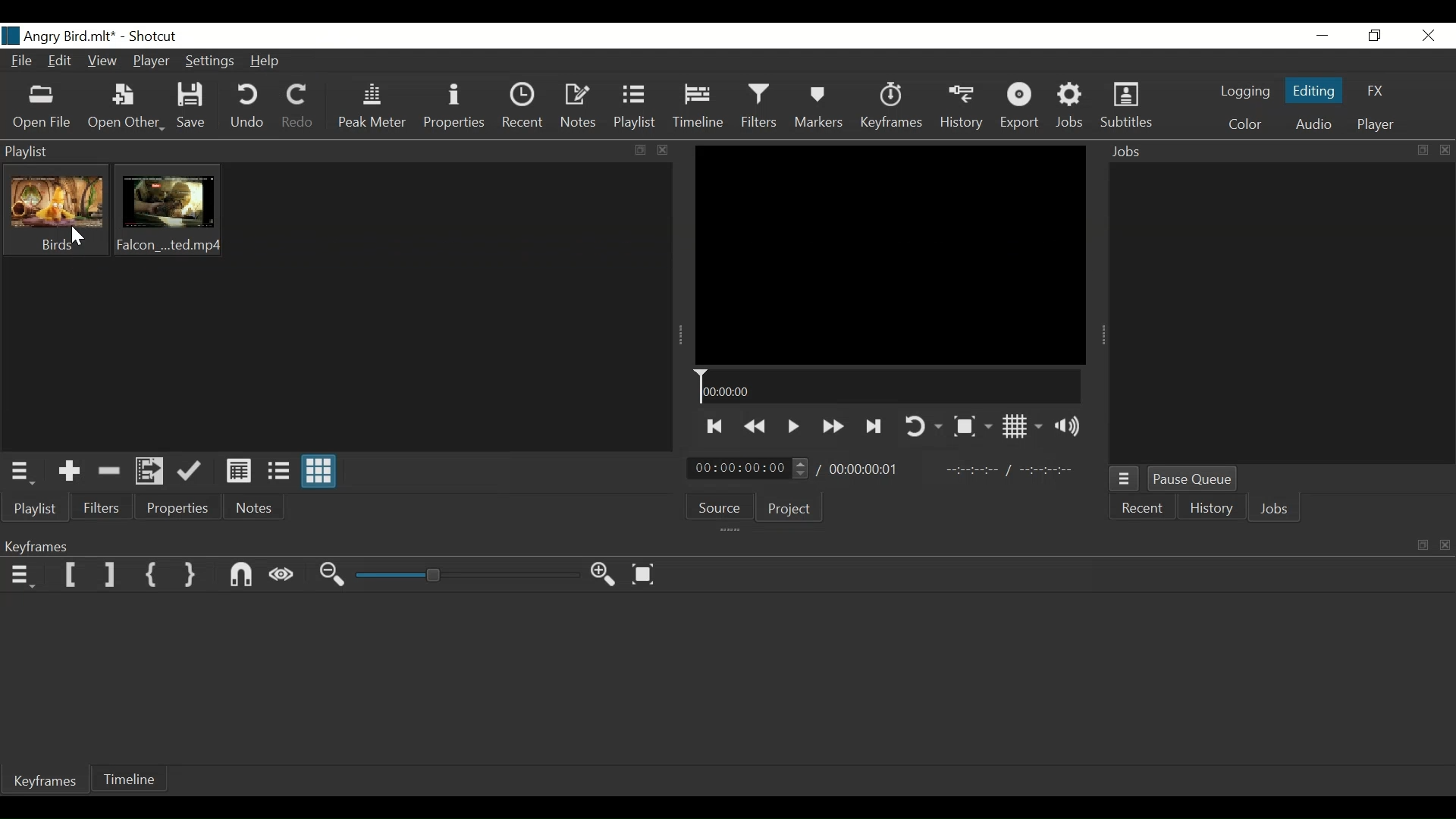  Describe the element at coordinates (716, 426) in the screenshot. I see `Skip to the next point` at that location.